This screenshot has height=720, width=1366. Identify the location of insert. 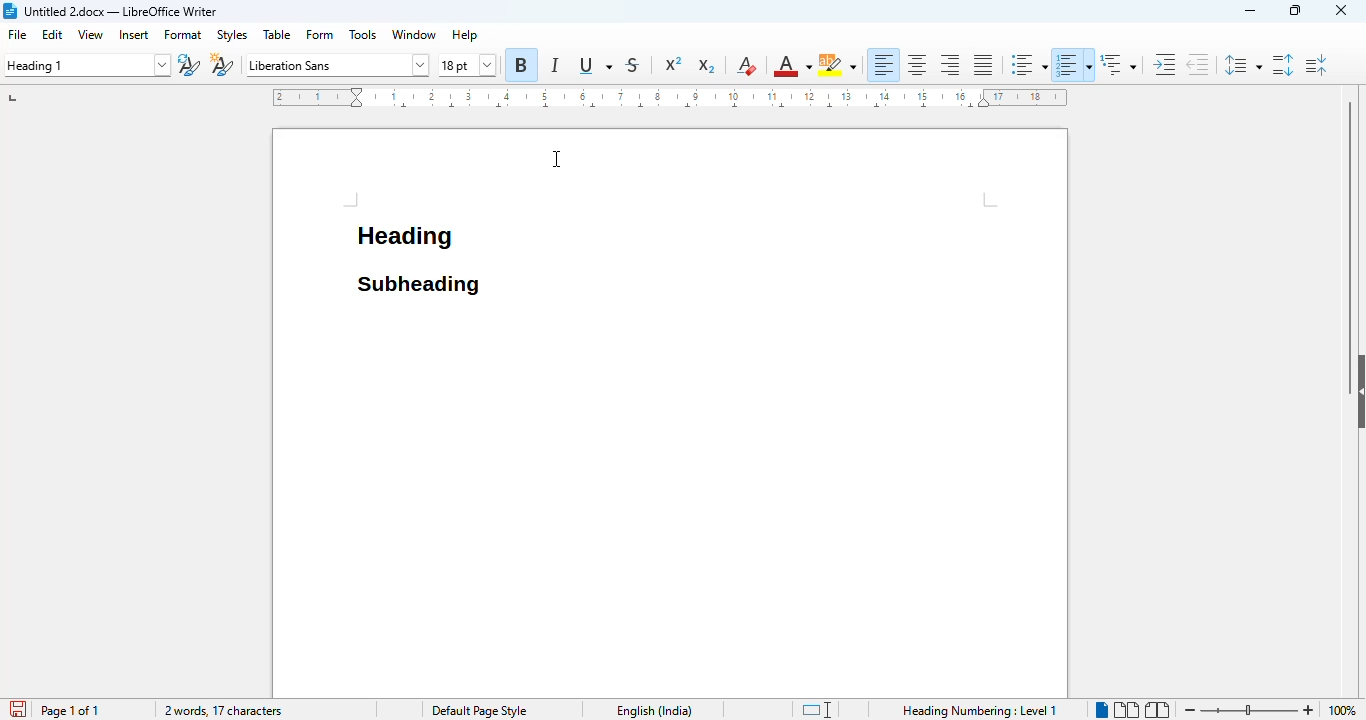
(134, 34).